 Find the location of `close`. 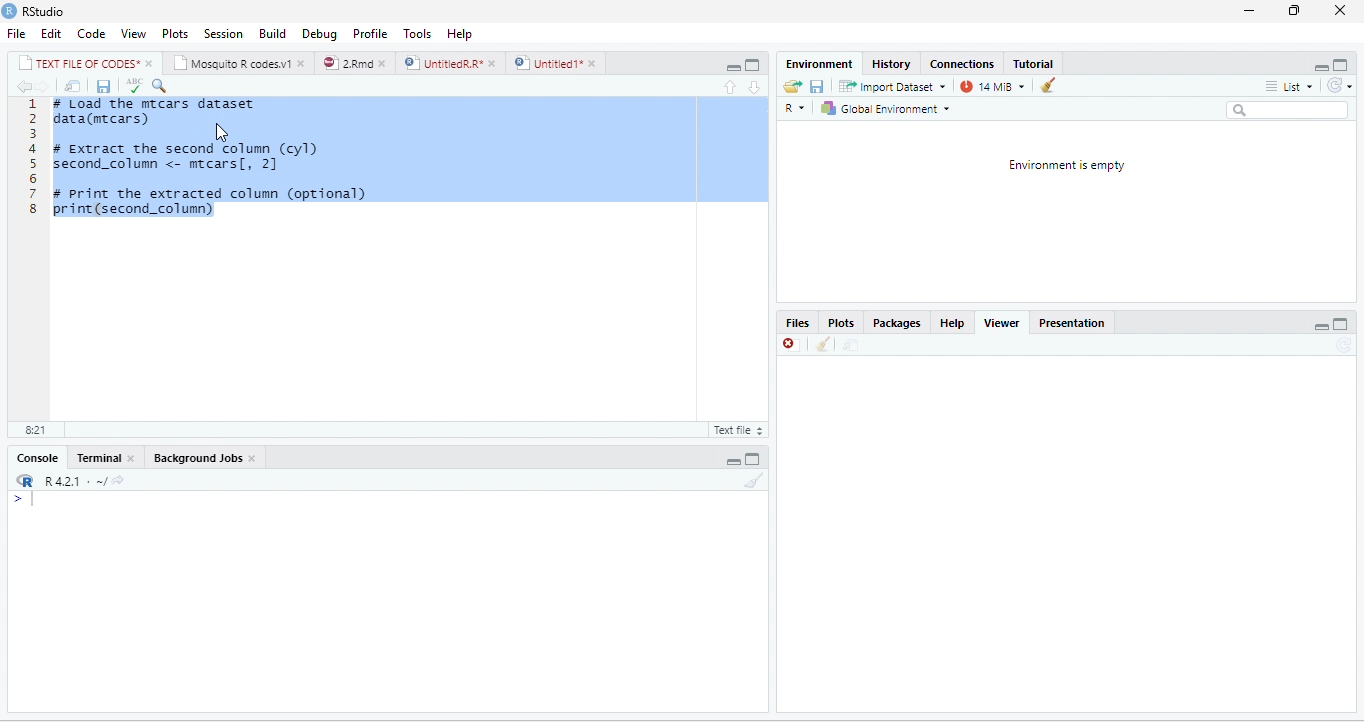

close is located at coordinates (304, 63).